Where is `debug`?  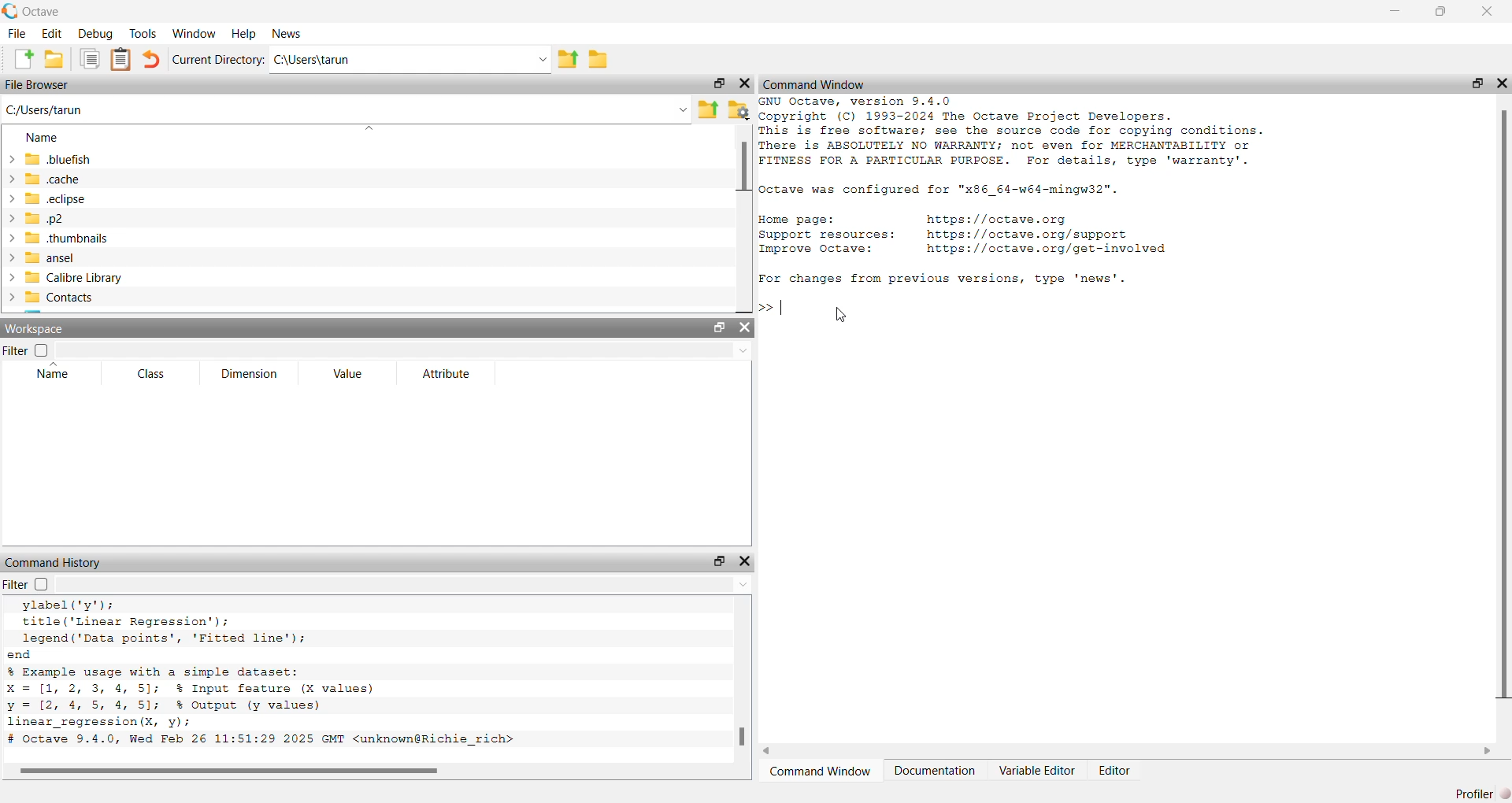
debug is located at coordinates (94, 33).